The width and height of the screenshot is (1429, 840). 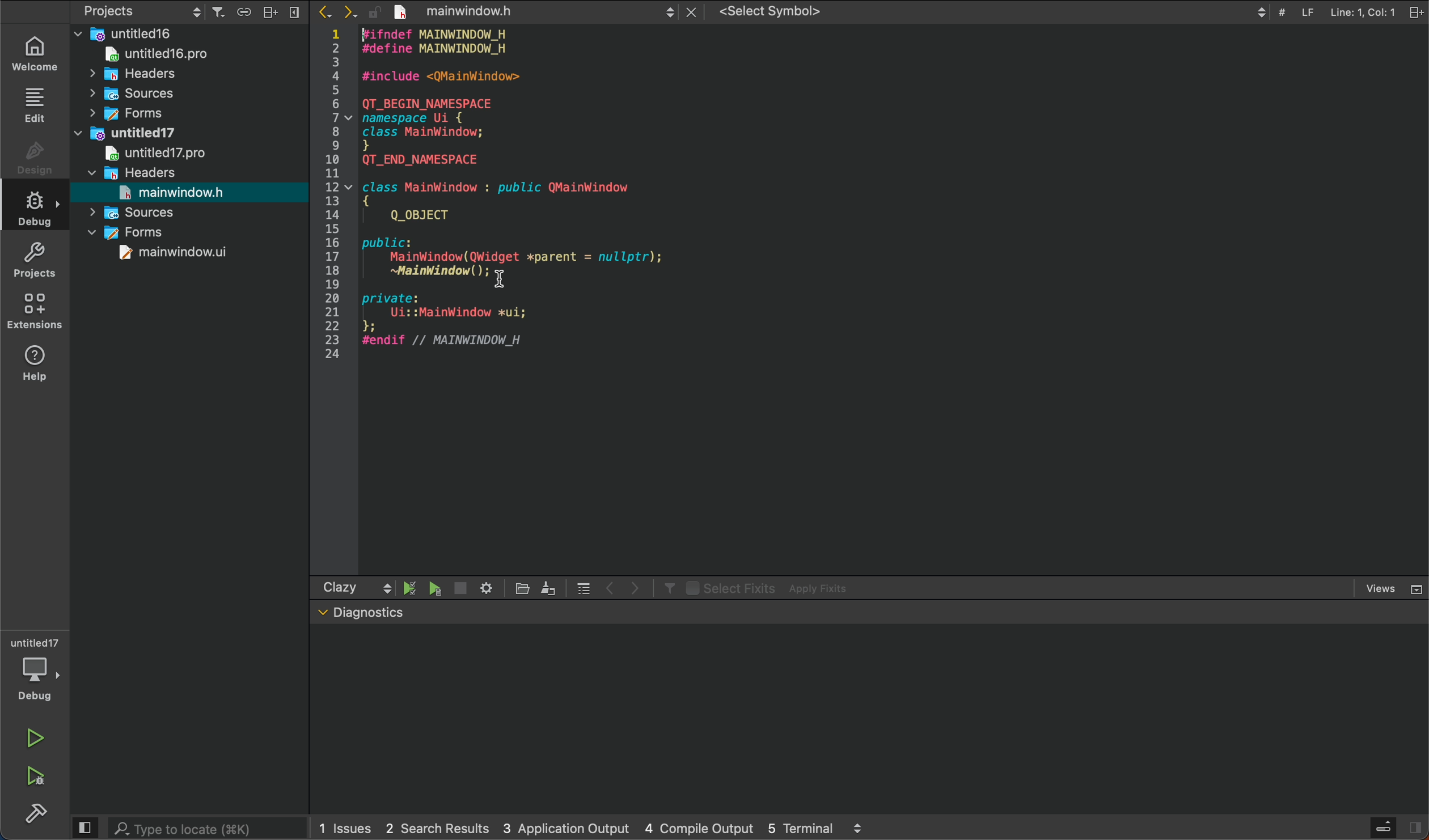 I want to click on untitled16.pro, so click(x=151, y=53).